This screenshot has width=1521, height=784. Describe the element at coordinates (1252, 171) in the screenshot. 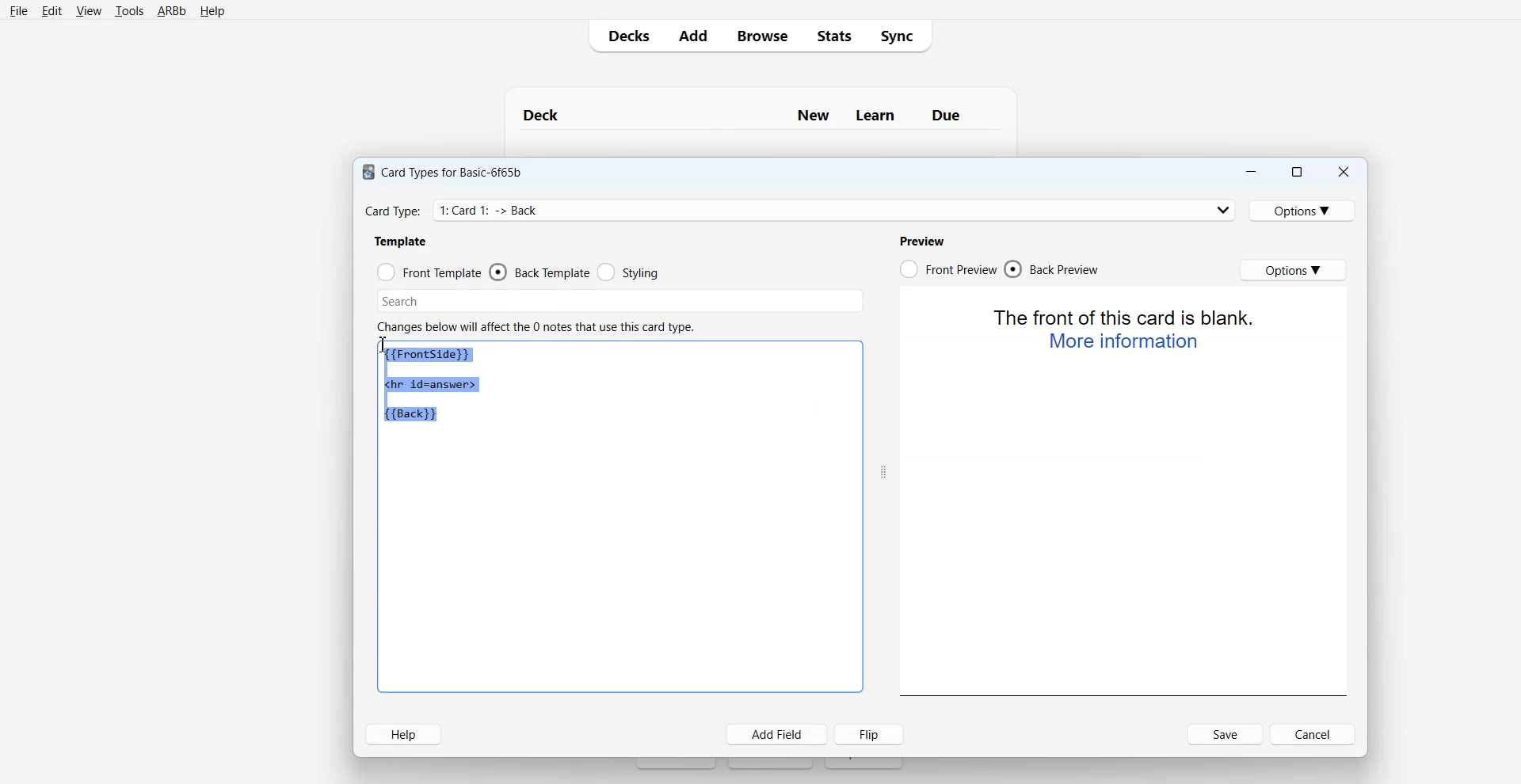

I see `Minimize` at that location.